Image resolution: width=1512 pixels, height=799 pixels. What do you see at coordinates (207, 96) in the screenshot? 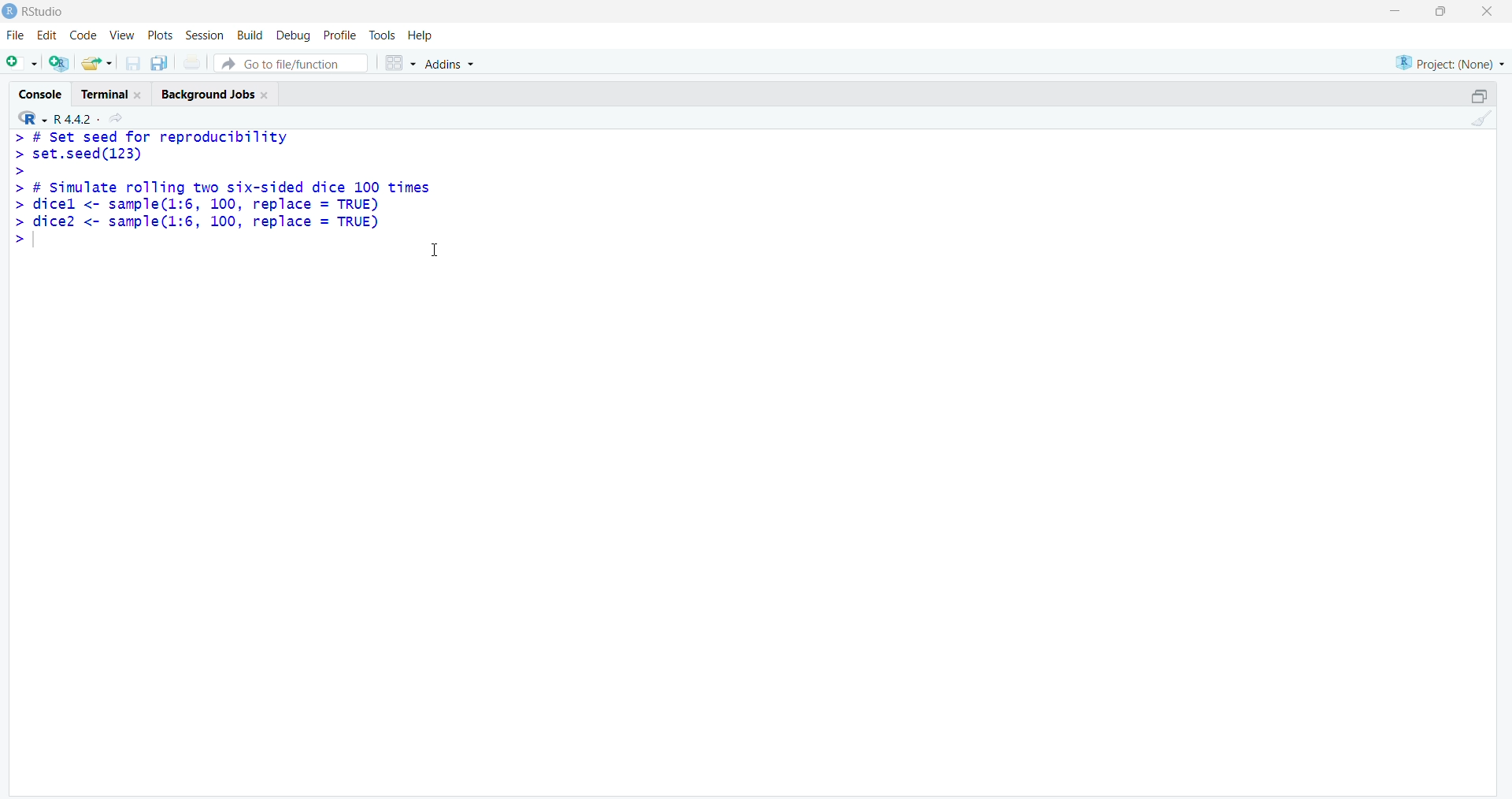
I see `Background jobs` at bounding box center [207, 96].